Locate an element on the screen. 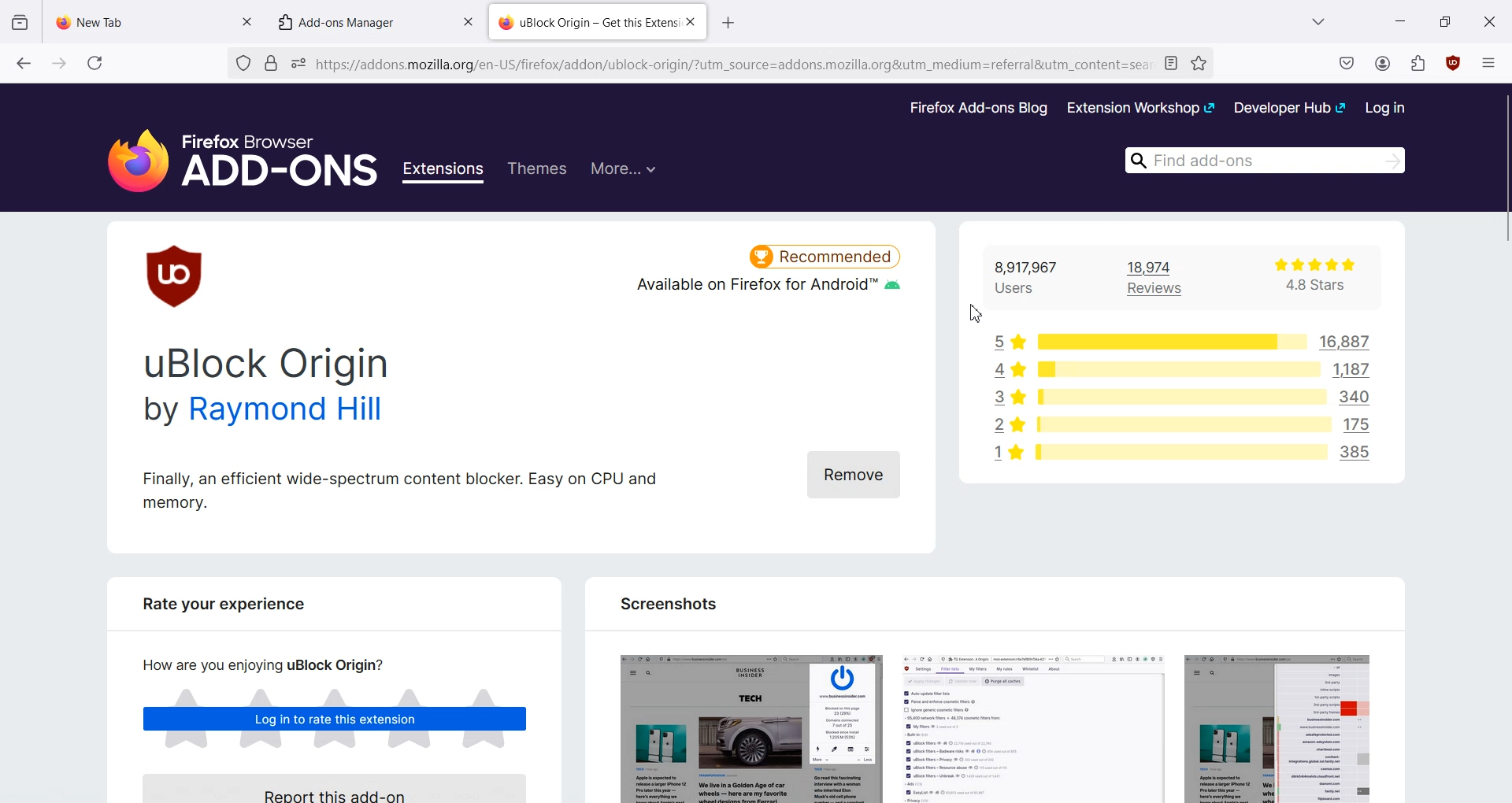  3 star rating is located at coordinates (1003, 398).